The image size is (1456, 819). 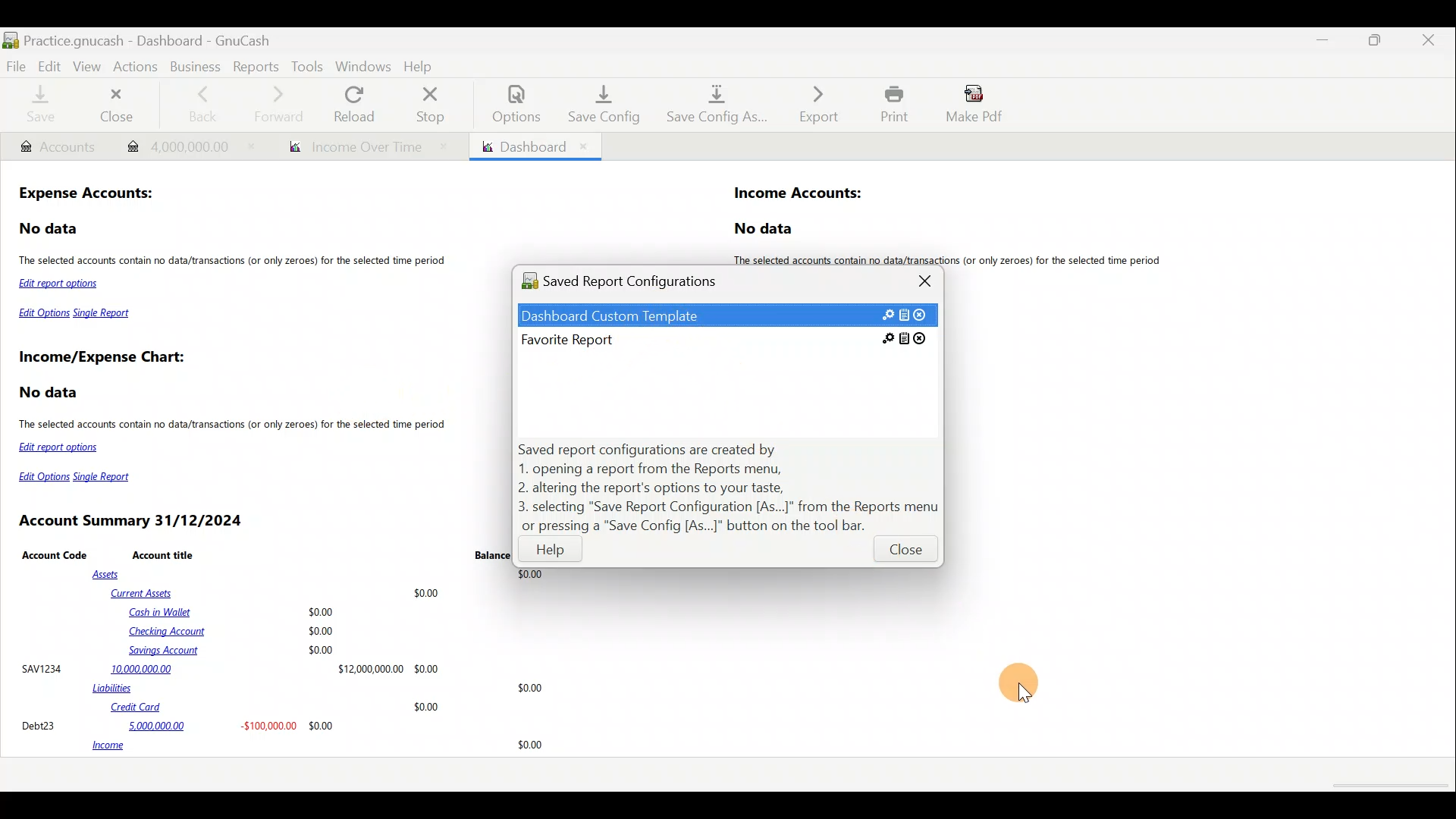 What do you see at coordinates (40, 106) in the screenshot?
I see `Save` at bounding box center [40, 106].